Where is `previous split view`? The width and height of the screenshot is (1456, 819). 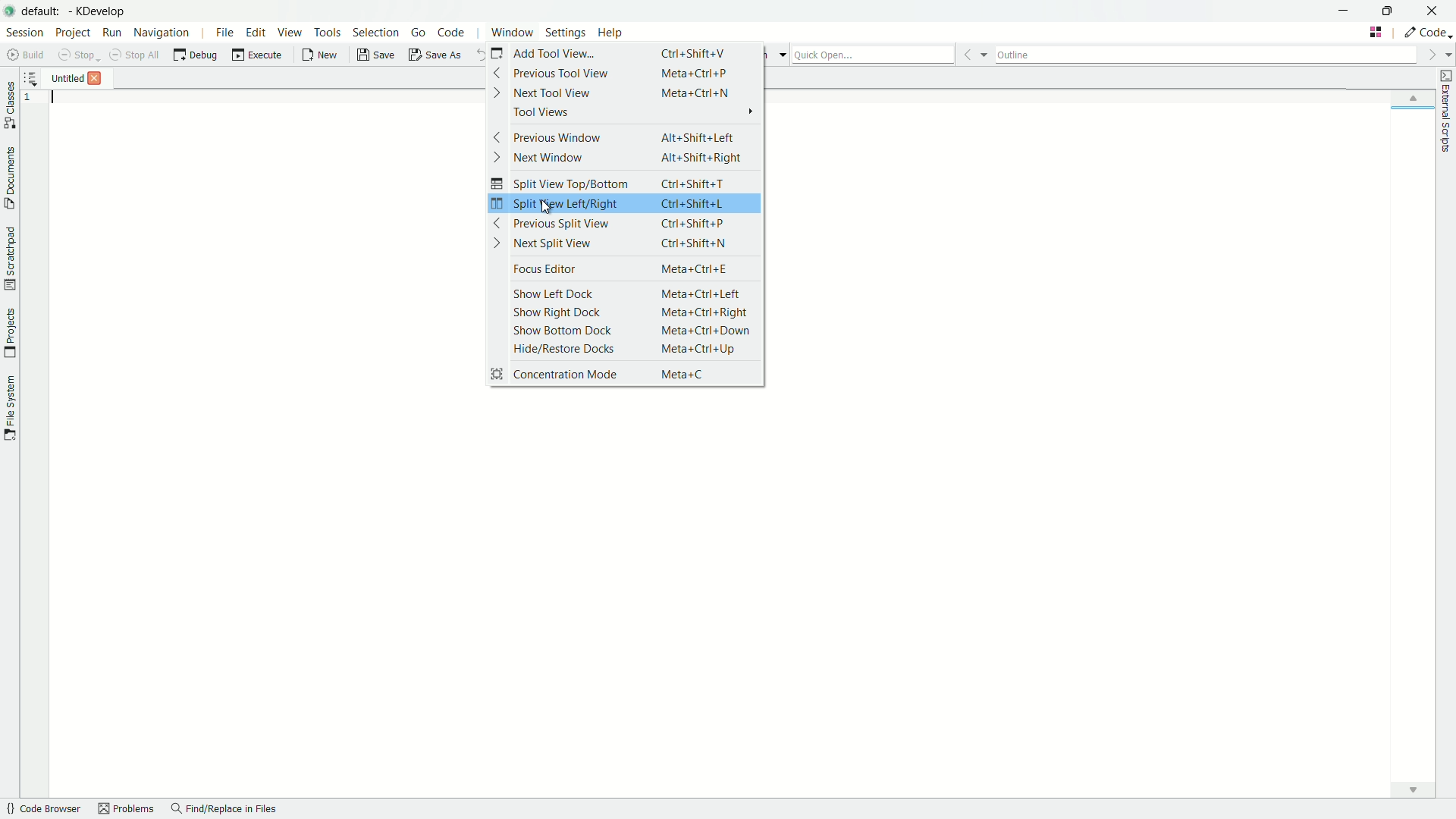 previous split view is located at coordinates (559, 224).